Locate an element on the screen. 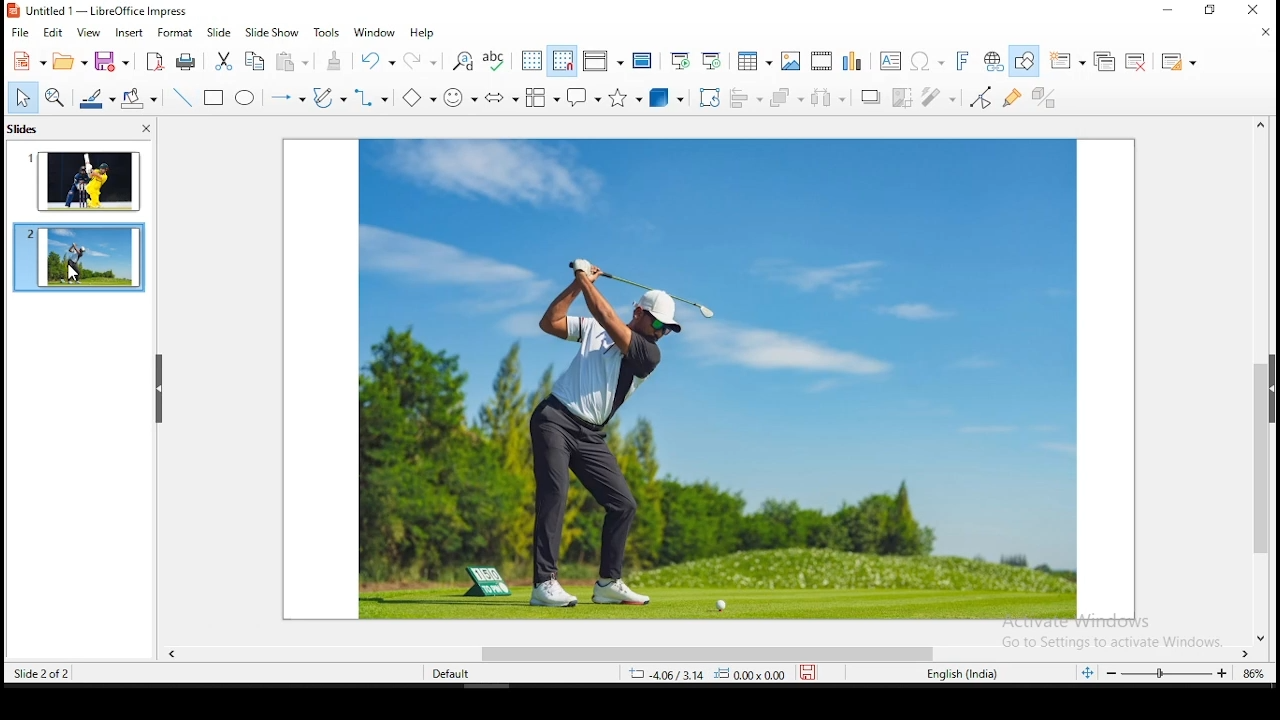  print is located at coordinates (186, 61).